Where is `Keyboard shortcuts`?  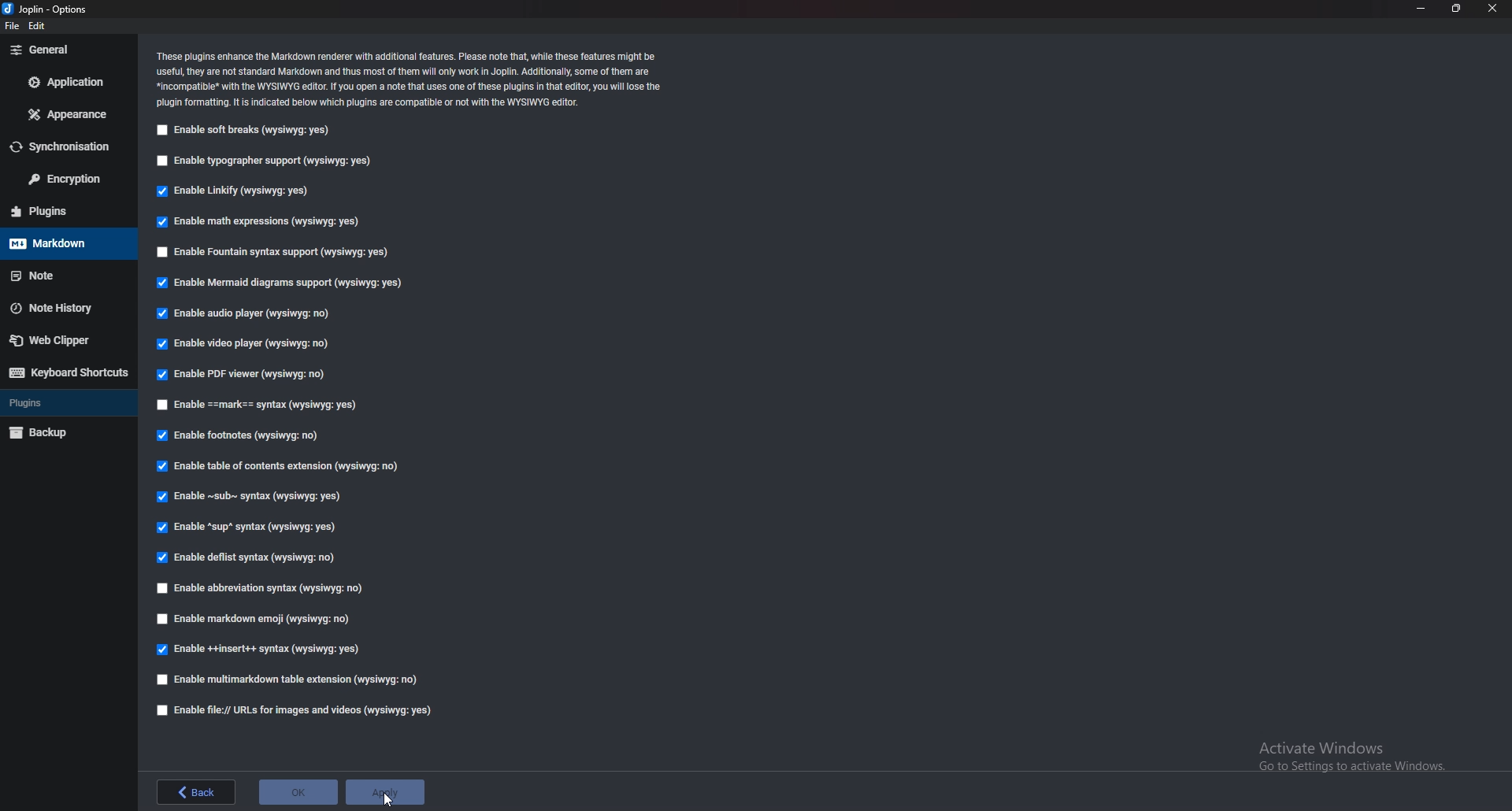
Keyboard shortcuts is located at coordinates (66, 372).